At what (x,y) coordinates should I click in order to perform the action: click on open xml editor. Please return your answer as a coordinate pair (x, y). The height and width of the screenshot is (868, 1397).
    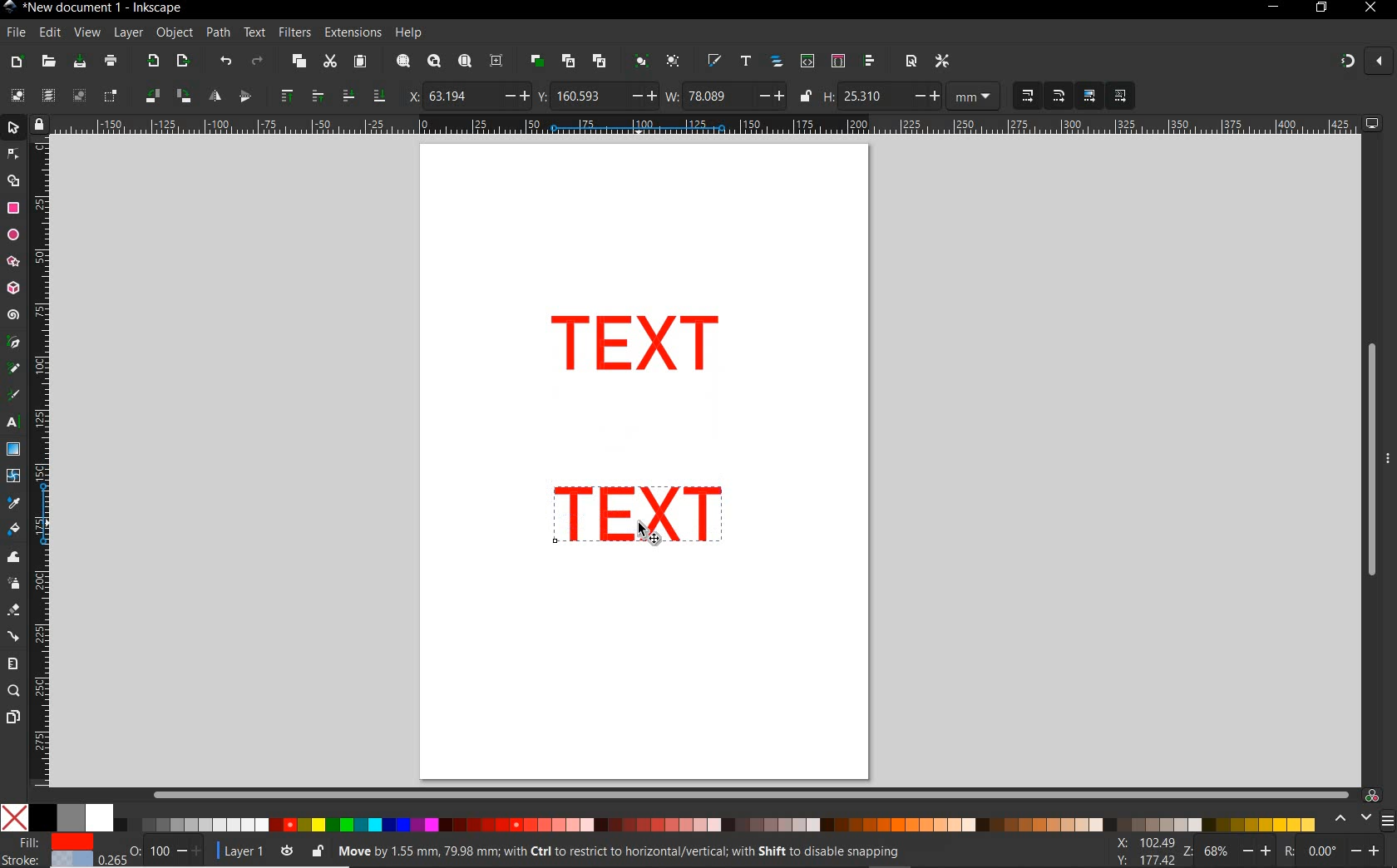
    Looking at the image, I should click on (806, 62).